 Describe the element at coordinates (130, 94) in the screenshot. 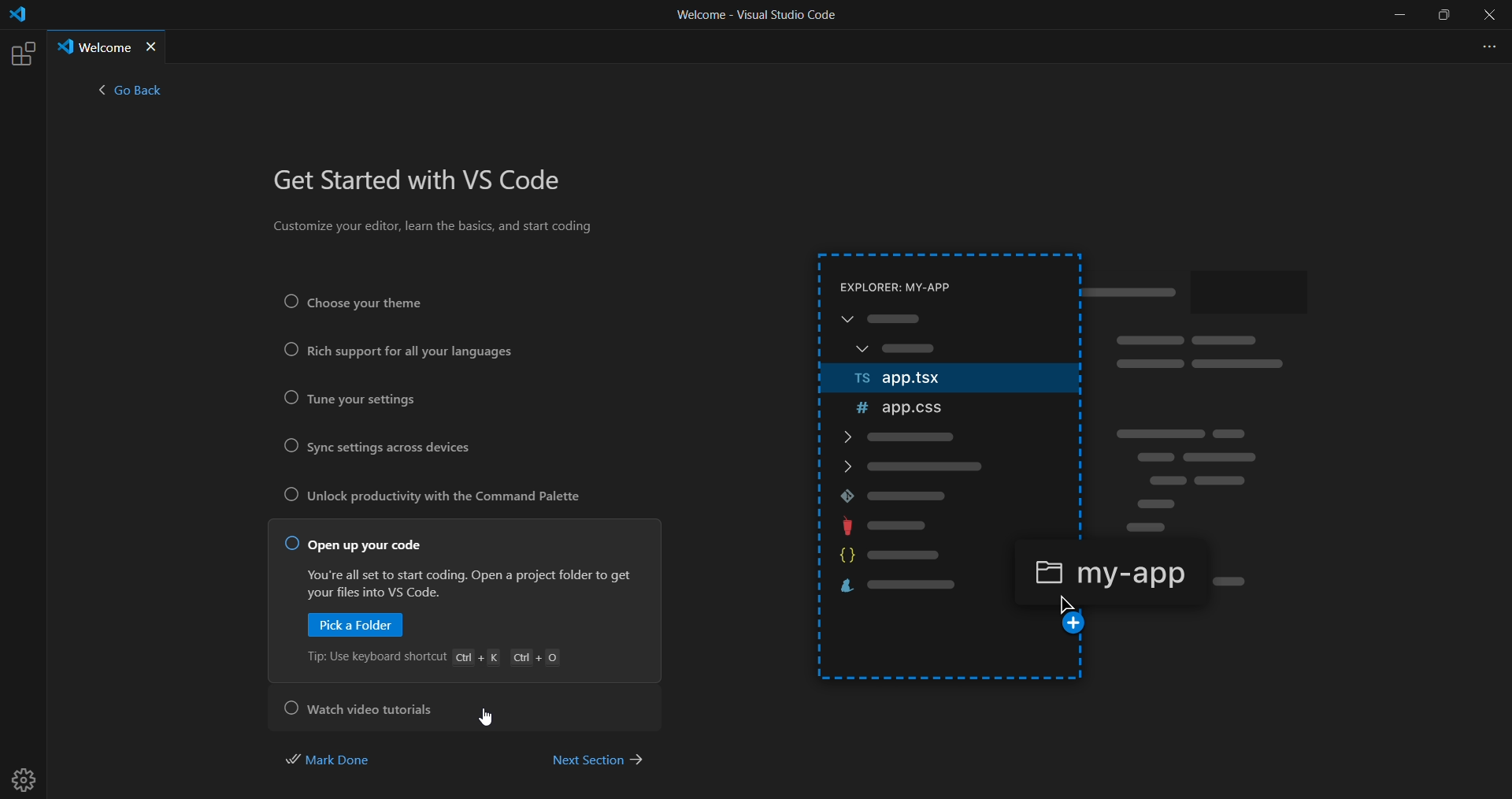

I see `< go back` at that location.